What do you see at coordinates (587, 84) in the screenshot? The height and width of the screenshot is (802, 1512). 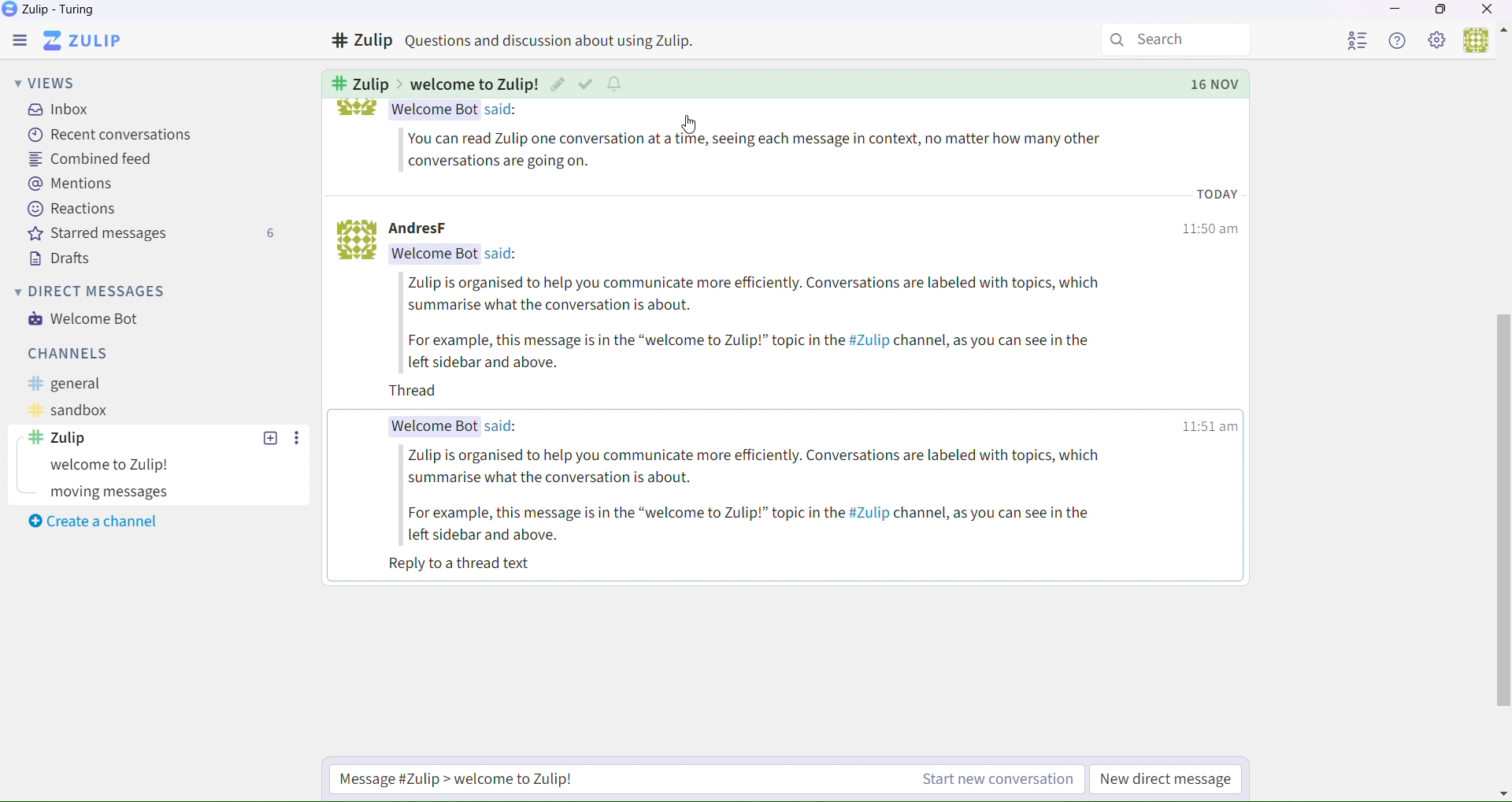 I see `` at bounding box center [587, 84].